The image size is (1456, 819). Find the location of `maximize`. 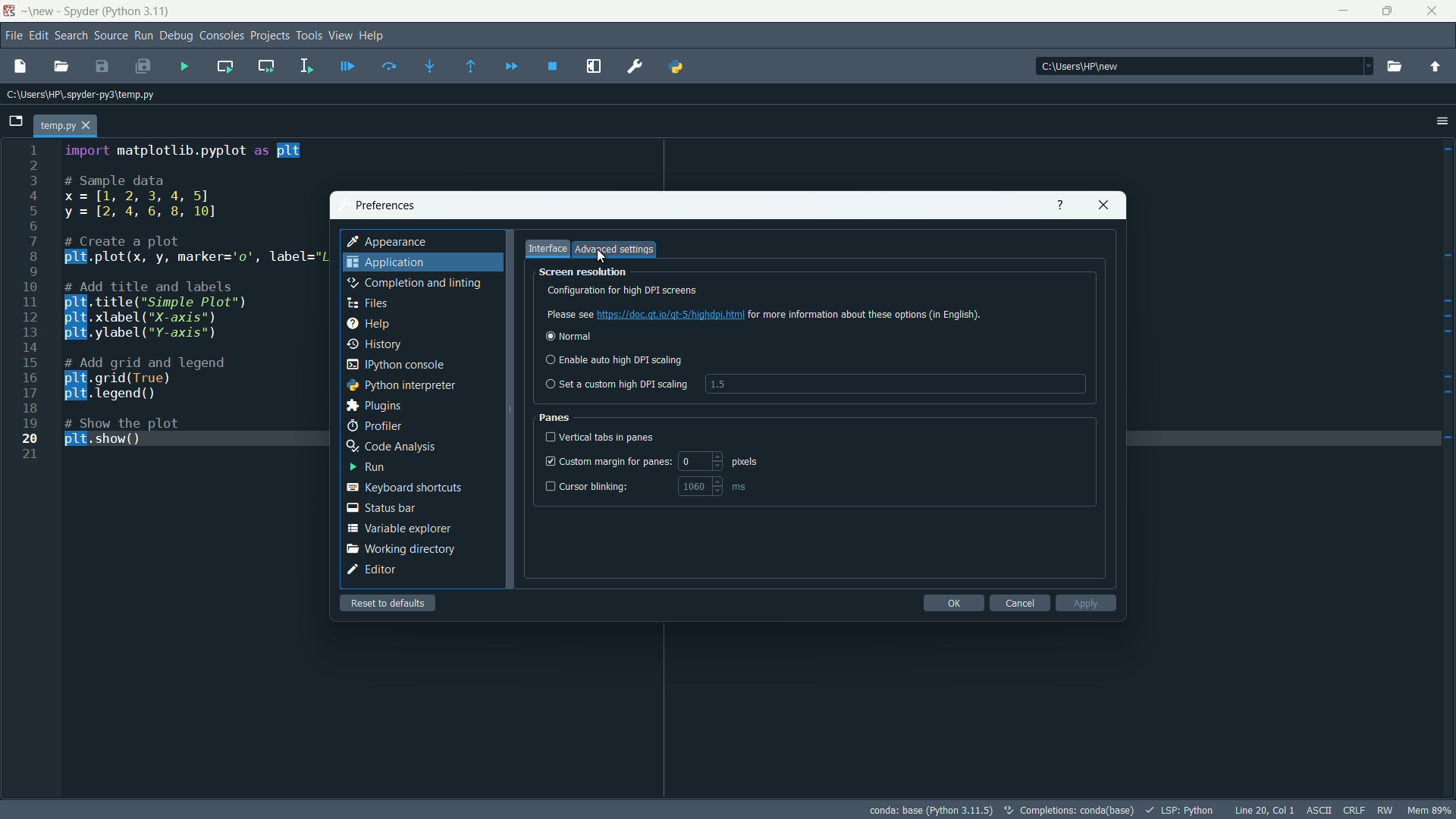

maximize is located at coordinates (1390, 11).